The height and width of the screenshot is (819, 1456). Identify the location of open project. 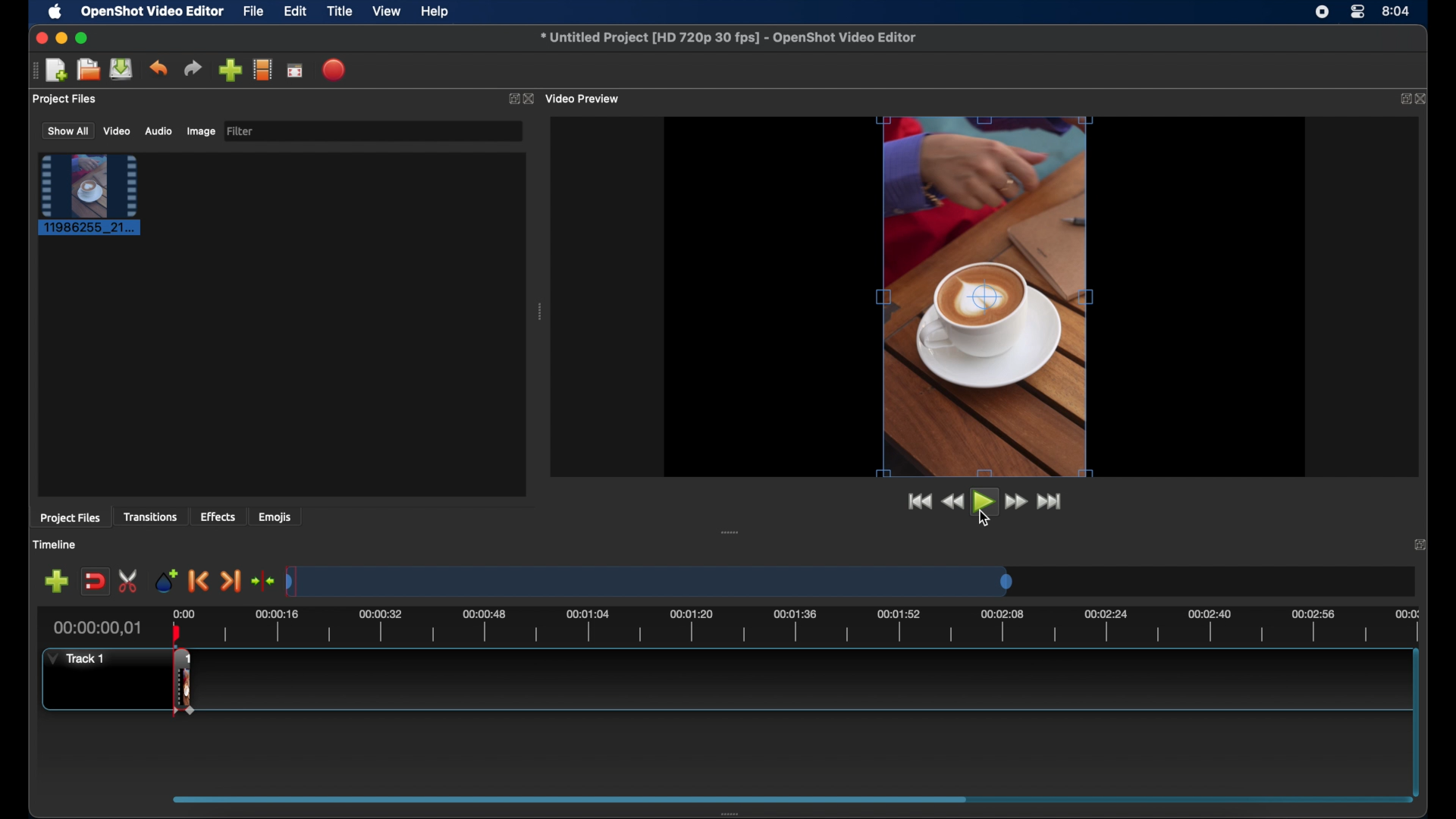
(88, 70).